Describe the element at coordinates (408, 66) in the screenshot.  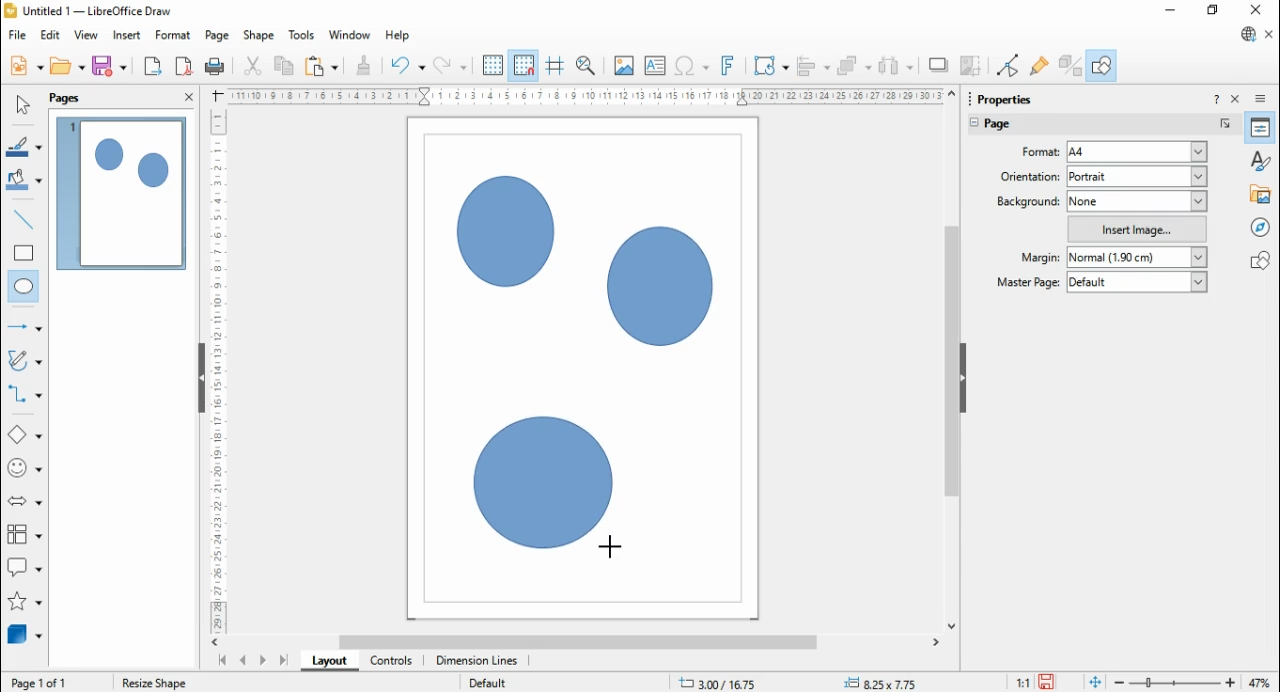
I see `undo` at that location.